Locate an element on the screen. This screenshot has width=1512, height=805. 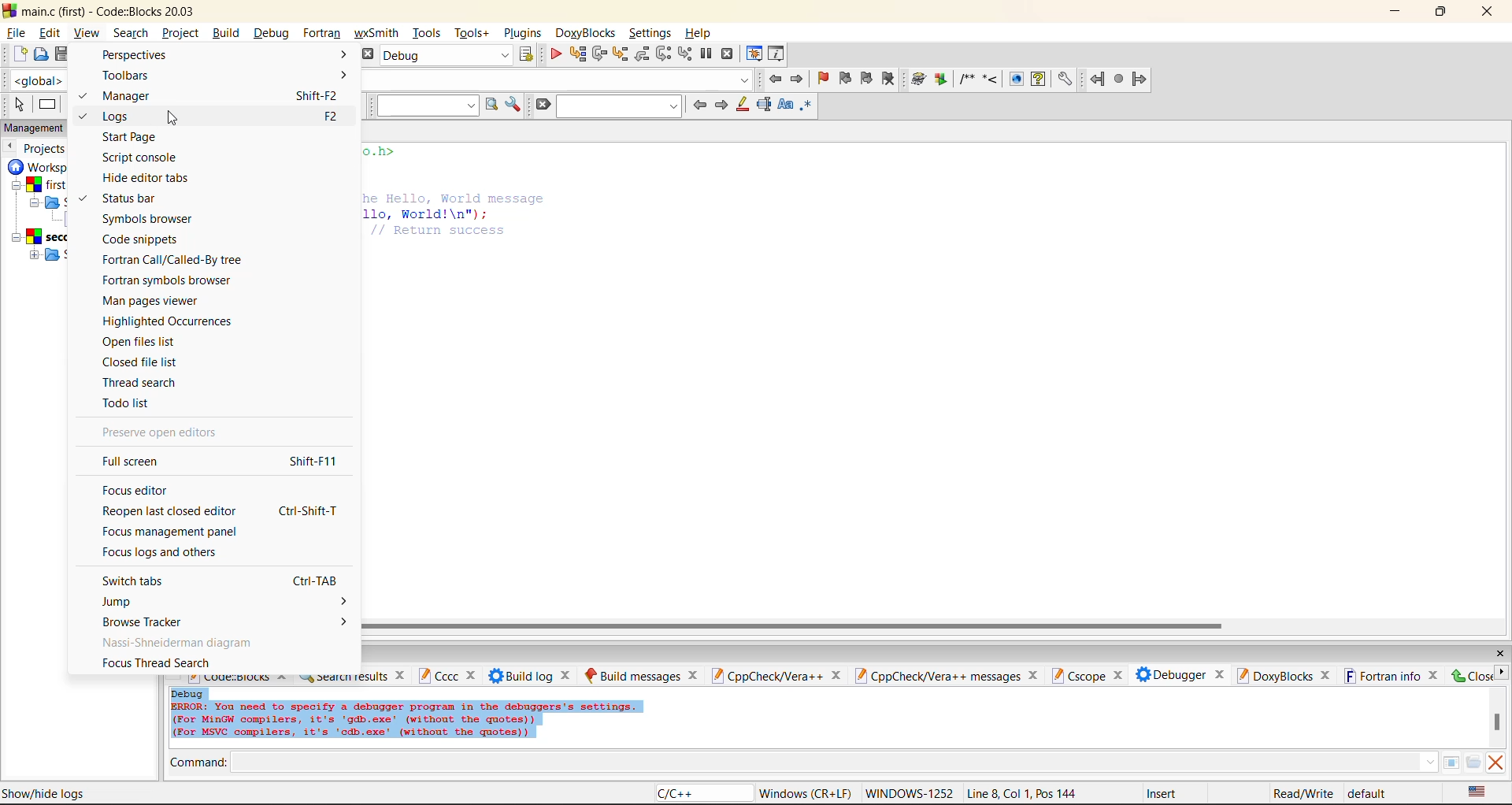
selected text is located at coordinates (765, 105).